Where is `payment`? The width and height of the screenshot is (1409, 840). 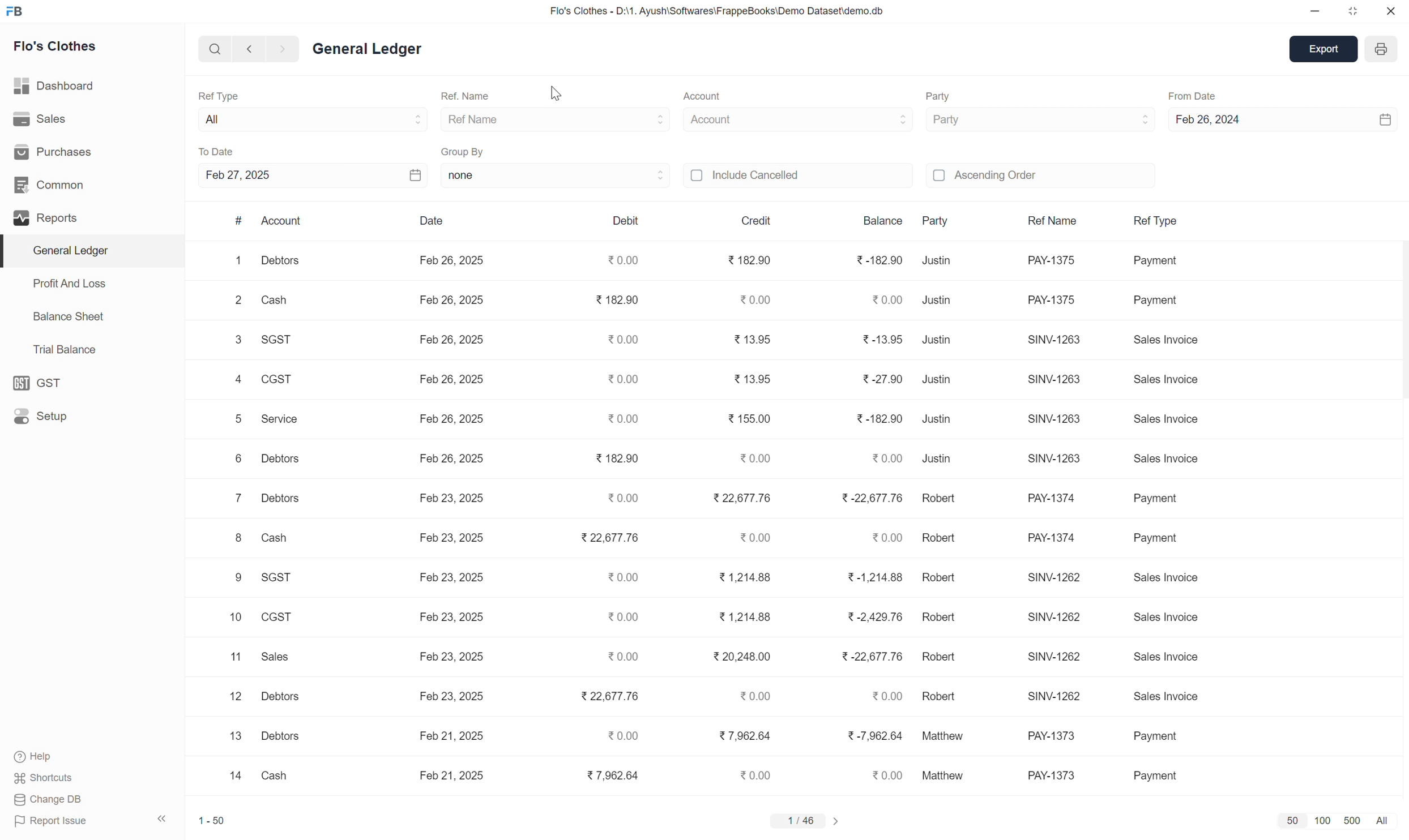 payment is located at coordinates (1158, 736).